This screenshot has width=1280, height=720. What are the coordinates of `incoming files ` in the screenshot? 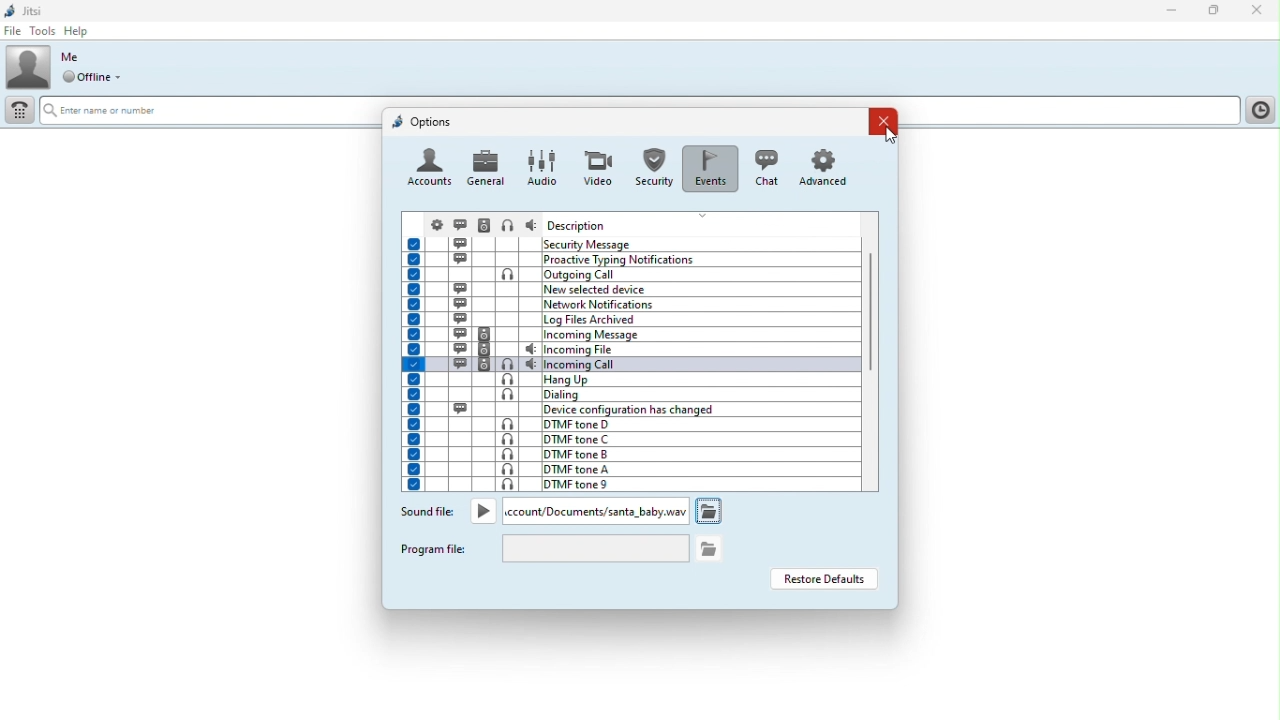 It's located at (630, 350).